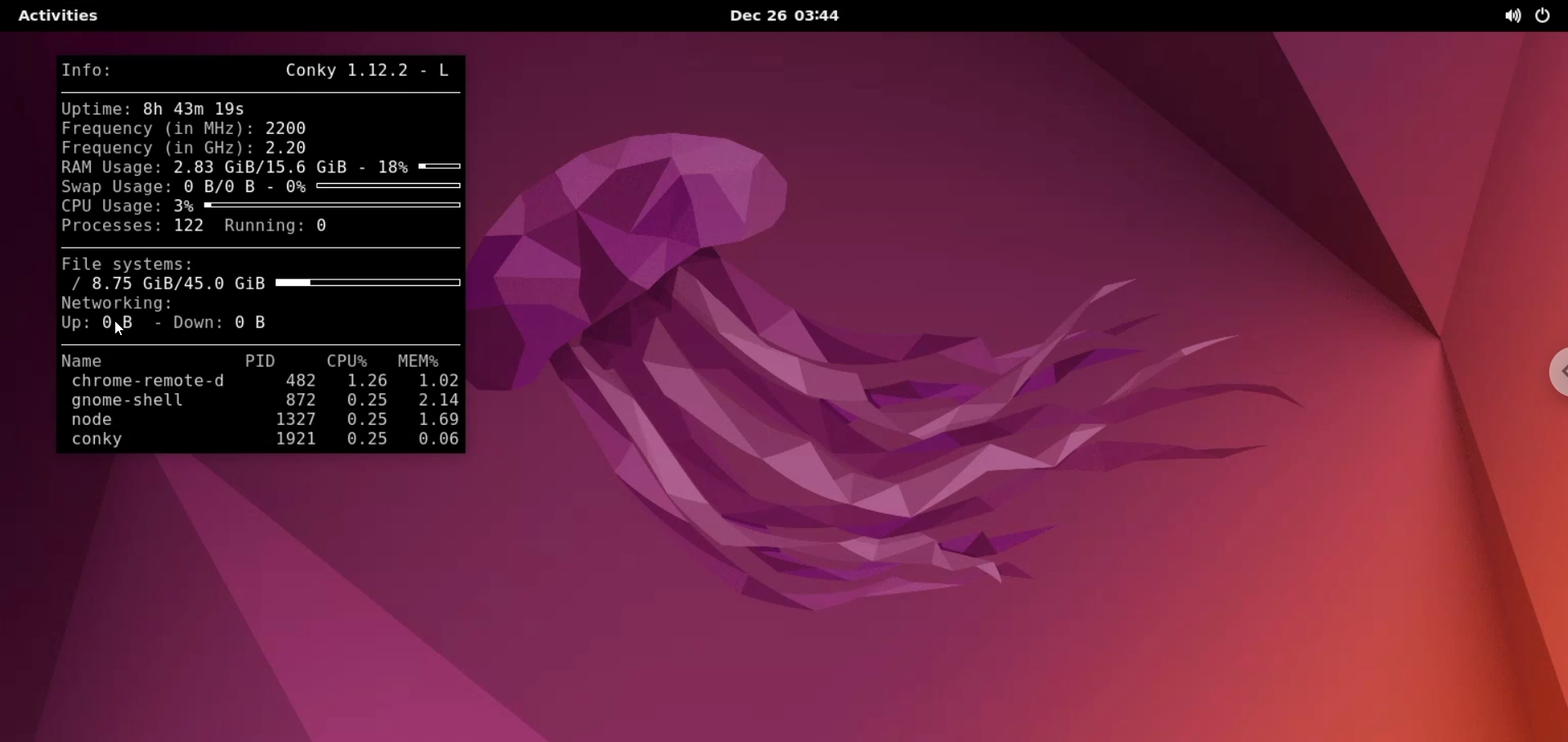 This screenshot has width=1568, height=742. Describe the element at coordinates (65, 14) in the screenshot. I see `Activities ` at that location.